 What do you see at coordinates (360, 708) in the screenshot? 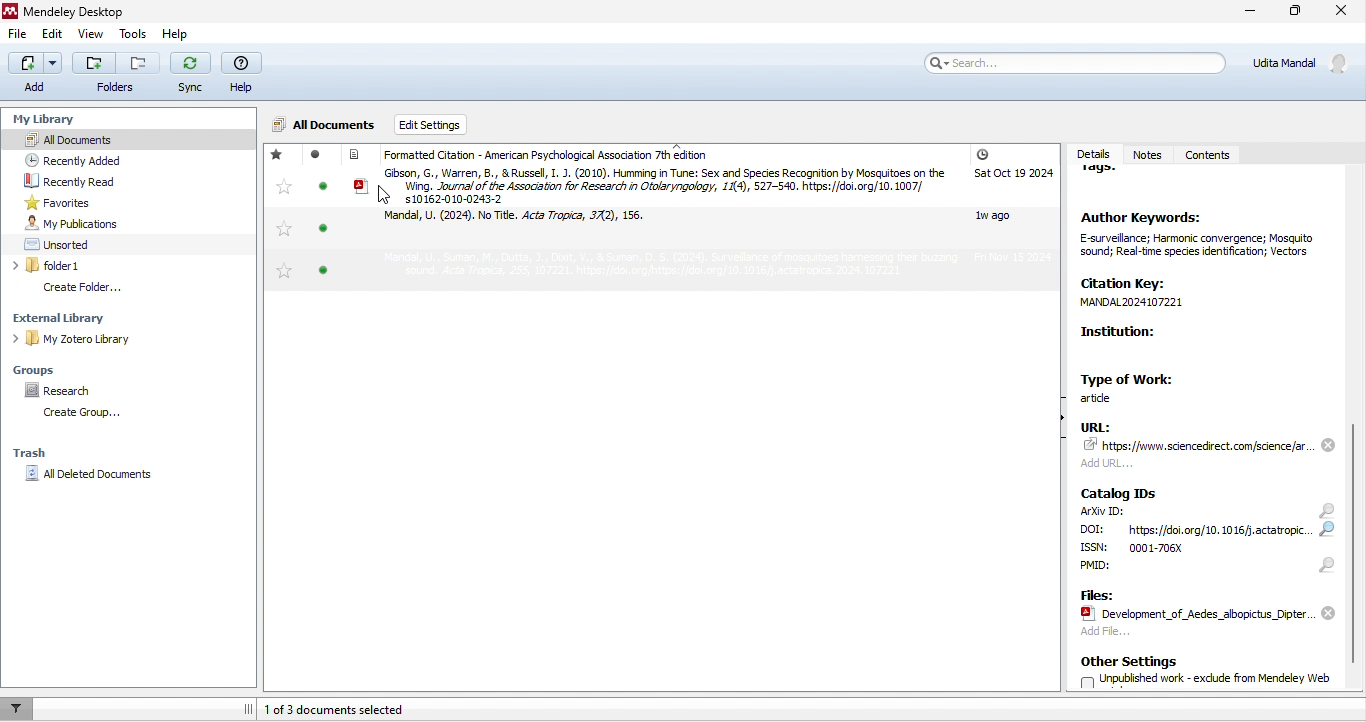
I see `1 of 3 documents selected` at bounding box center [360, 708].